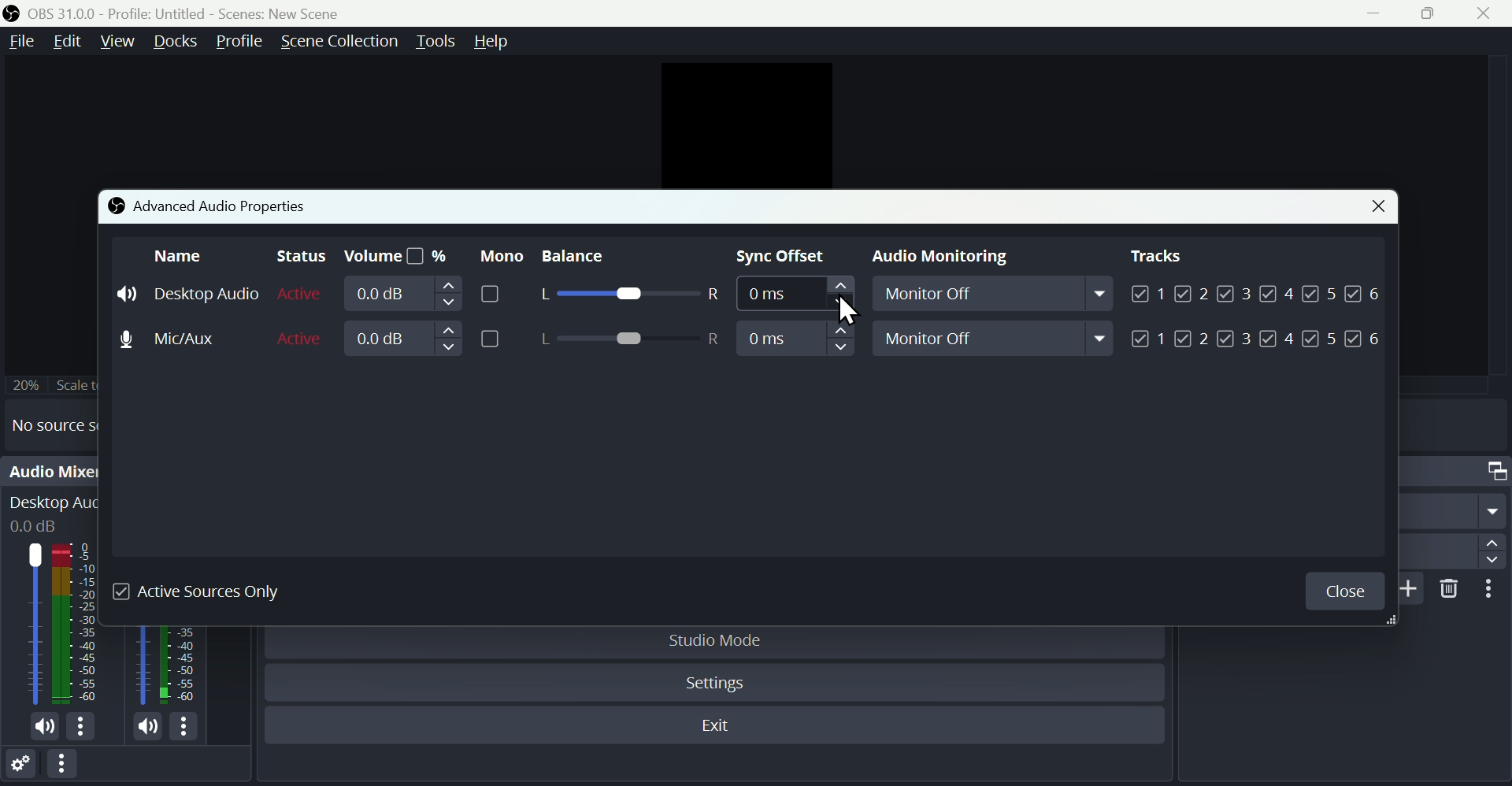 This screenshot has width=1512, height=786. I want to click on Desktop audio, so click(188, 294).